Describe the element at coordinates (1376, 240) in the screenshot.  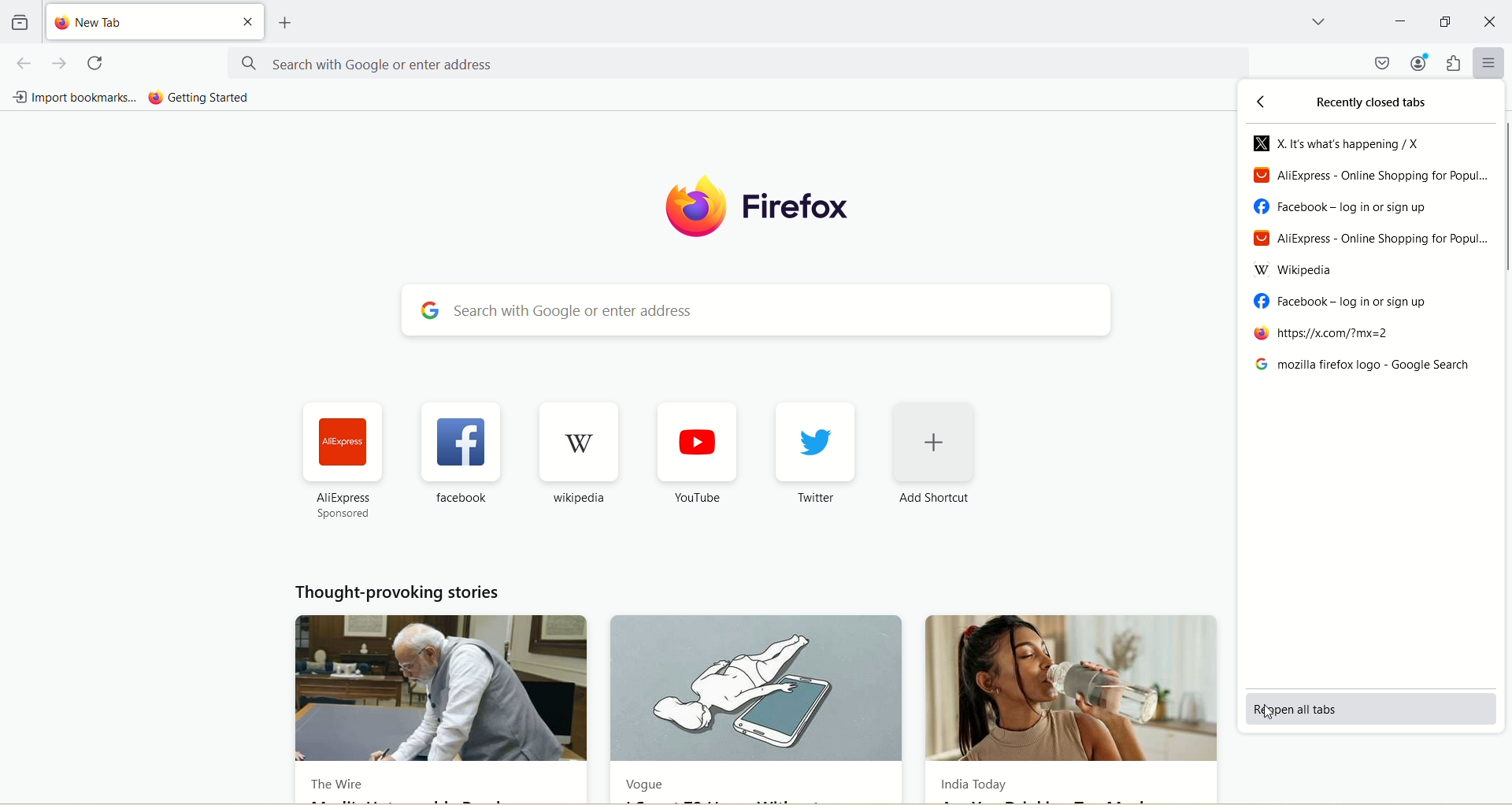
I see `Aliexpress` at that location.